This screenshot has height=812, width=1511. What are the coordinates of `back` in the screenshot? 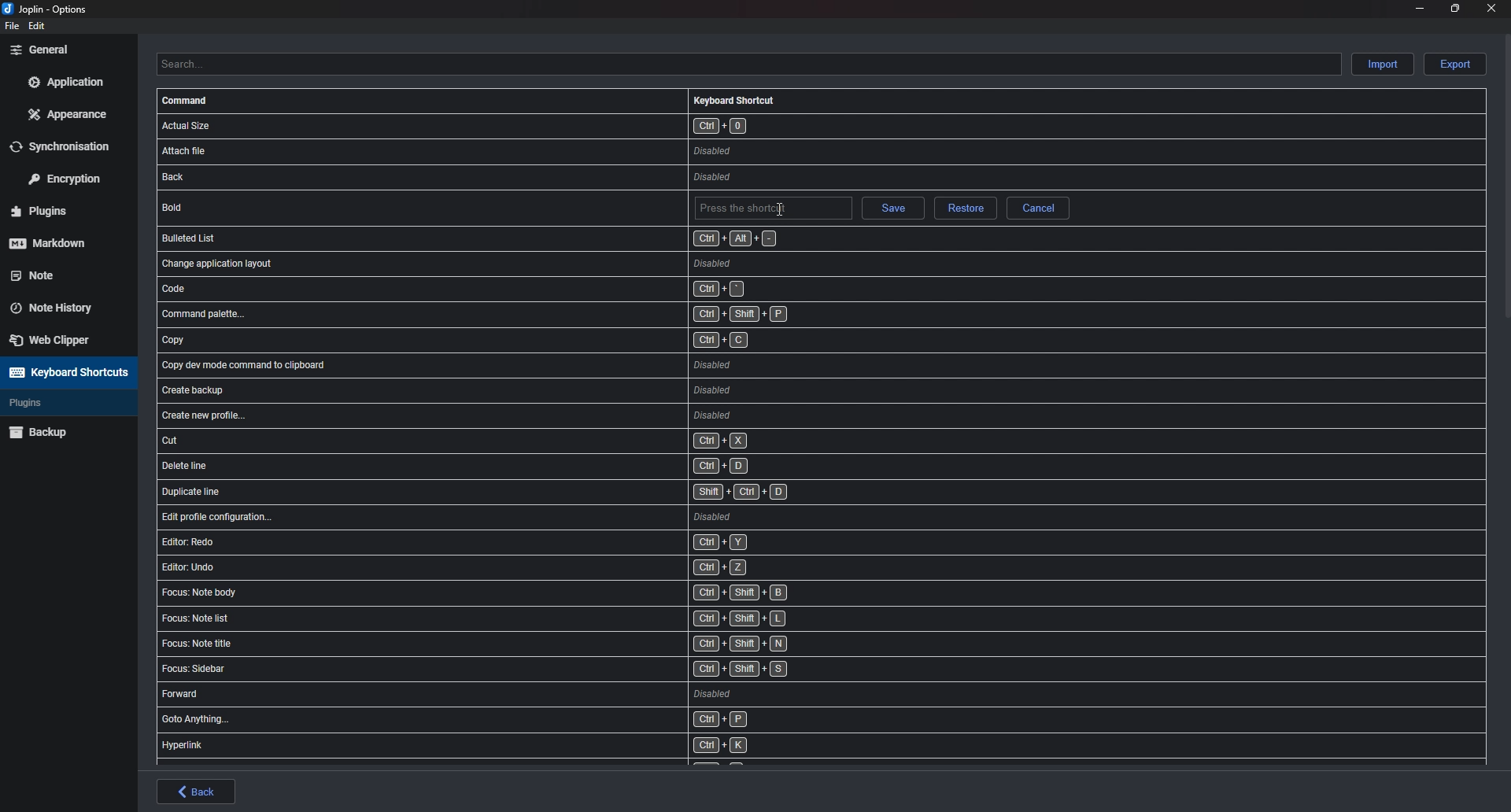 It's located at (197, 792).